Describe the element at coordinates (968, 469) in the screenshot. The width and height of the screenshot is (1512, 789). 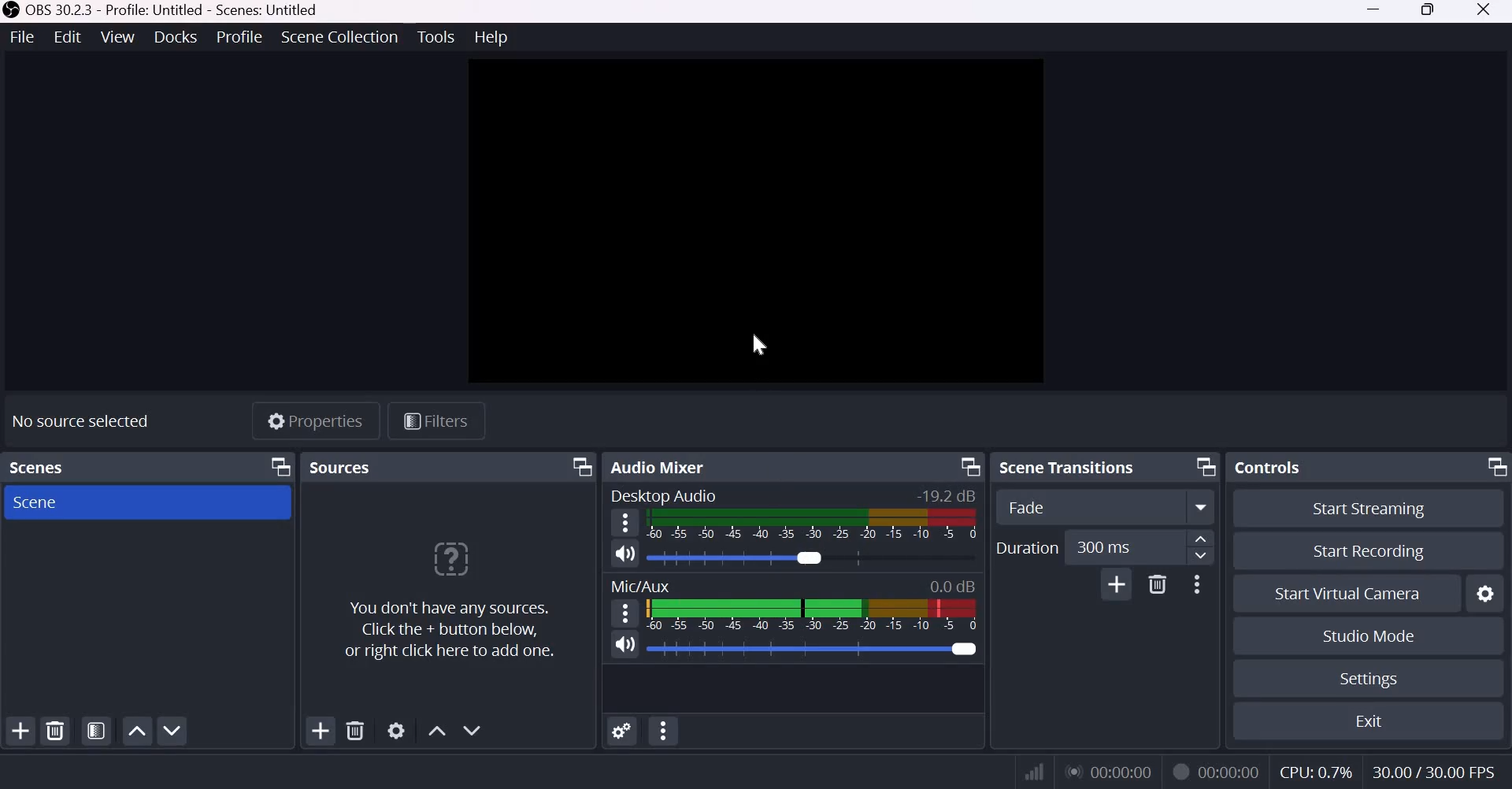
I see `Dock Options icon` at that location.